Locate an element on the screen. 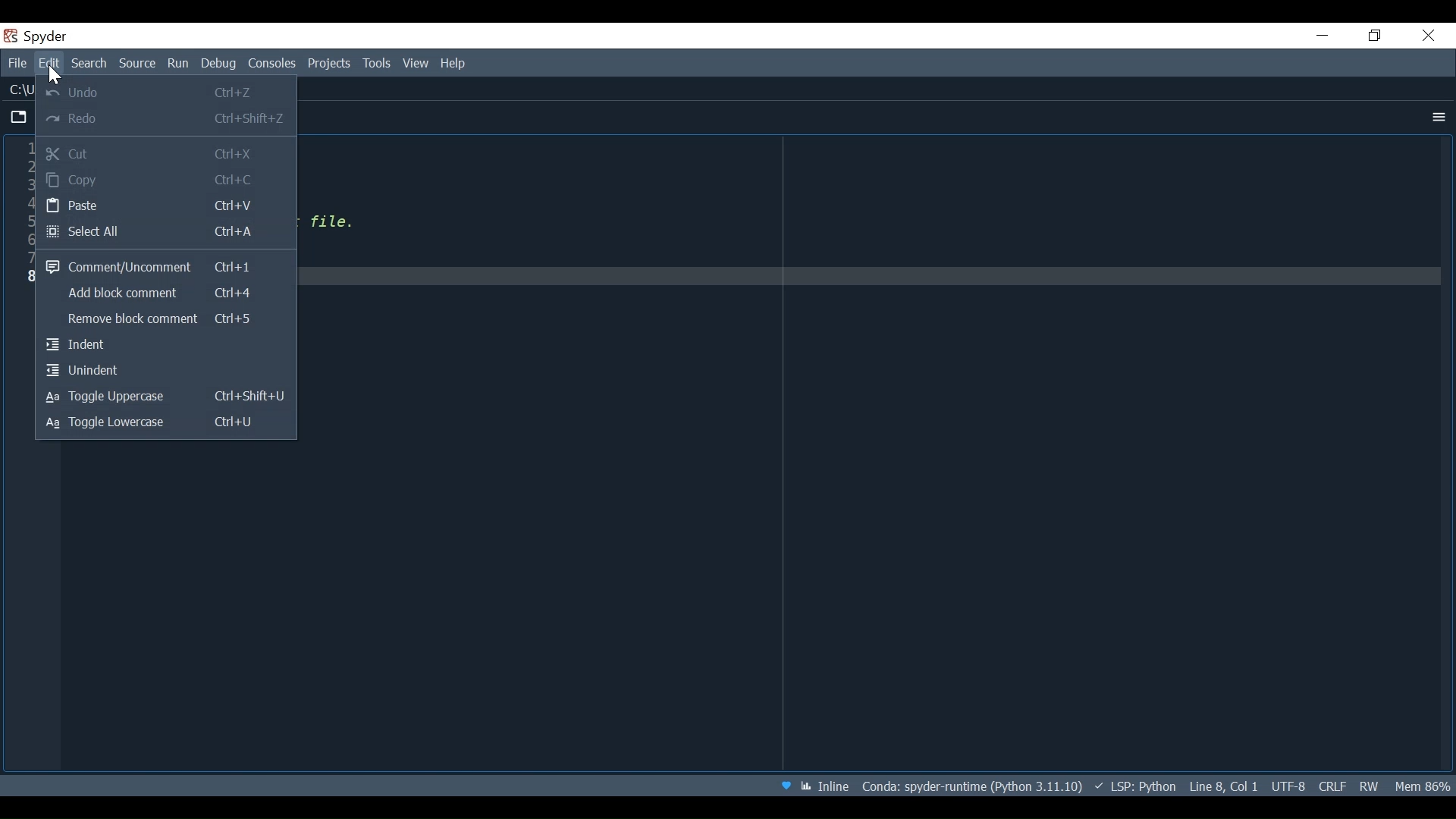 The image size is (1456, 819). Ctrl+U is located at coordinates (242, 424).